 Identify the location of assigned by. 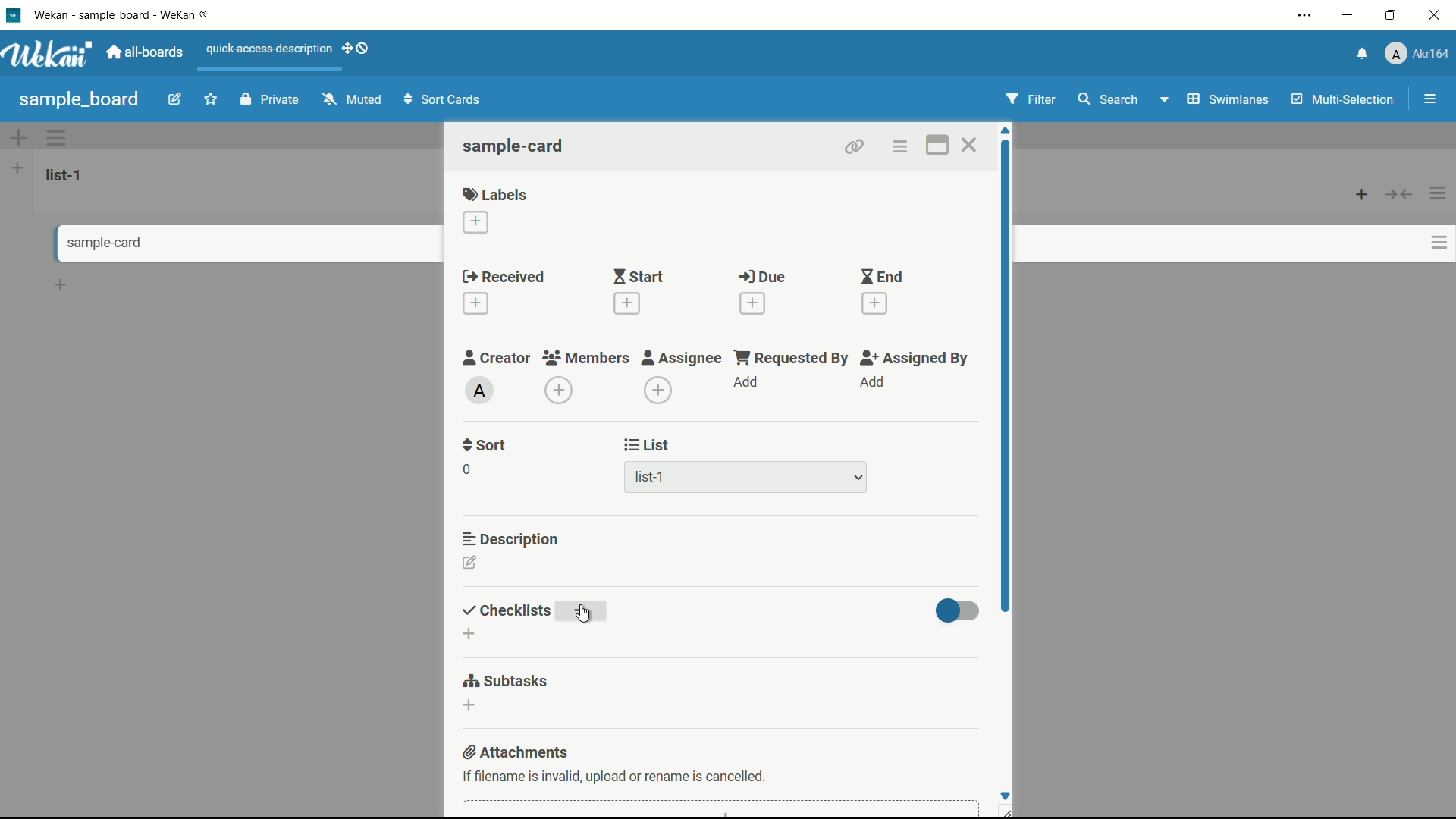
(916, 358).